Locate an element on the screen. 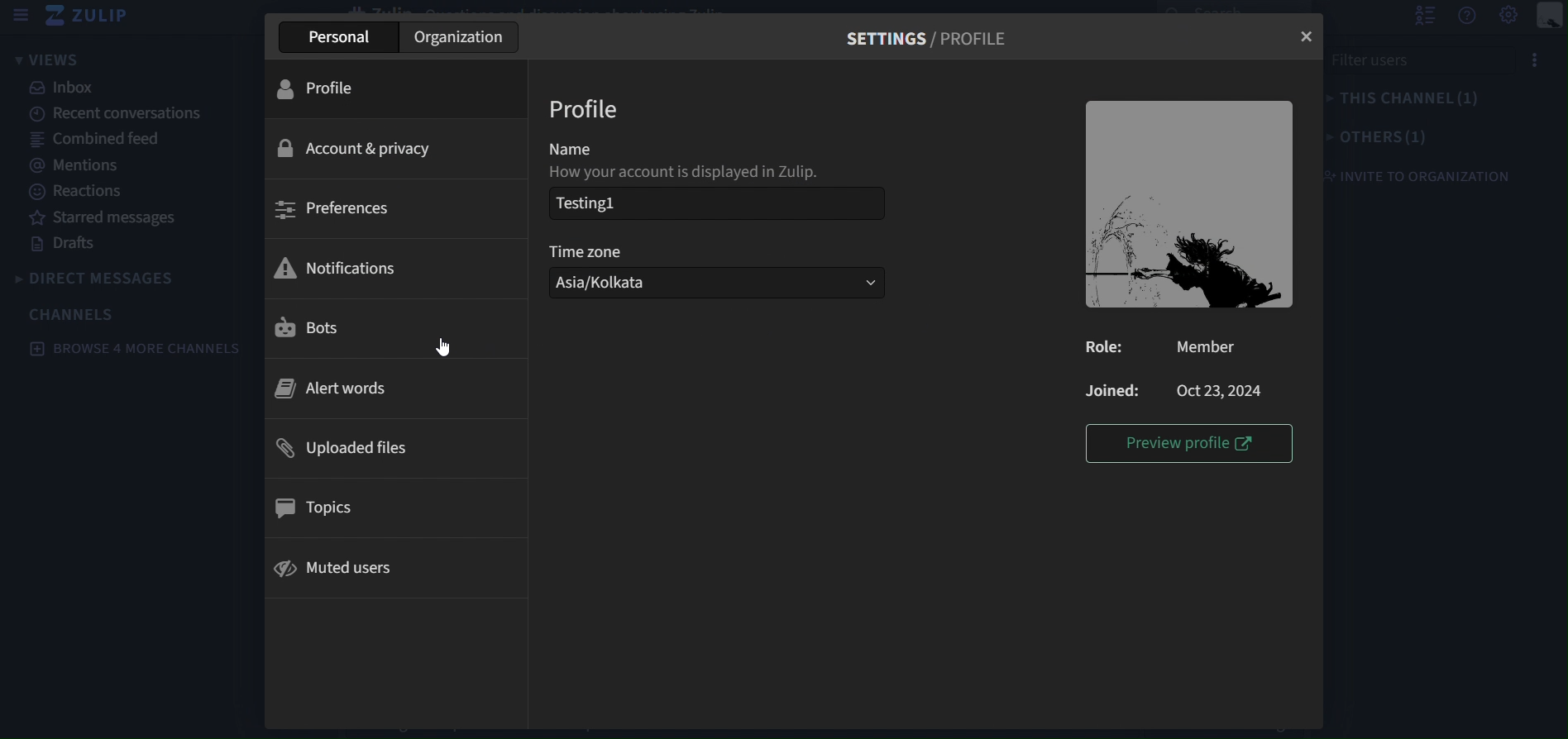  Settings is located at coordinates (1509, 16).